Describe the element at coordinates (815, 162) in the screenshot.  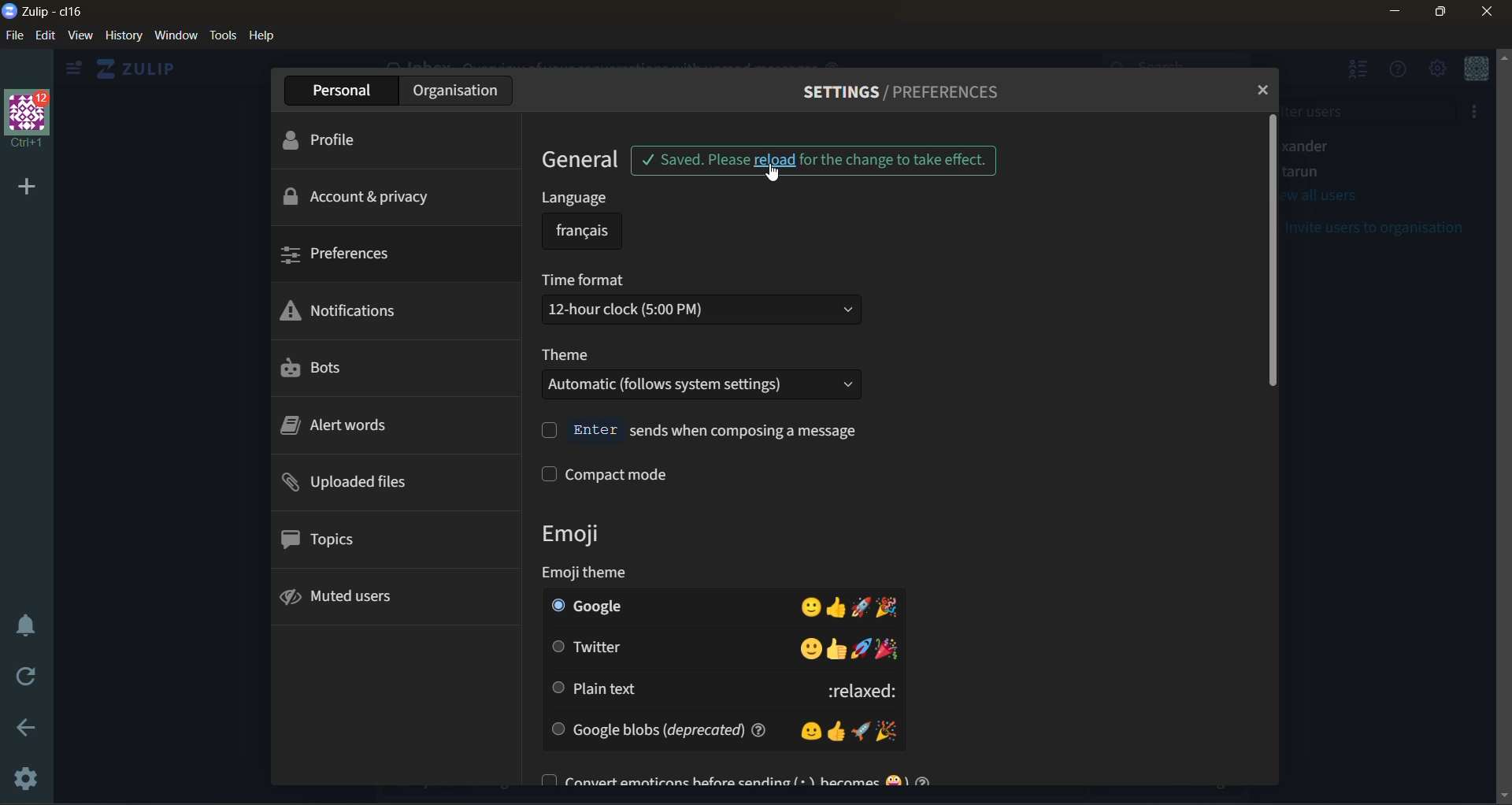
I see `language change notification` at that location.